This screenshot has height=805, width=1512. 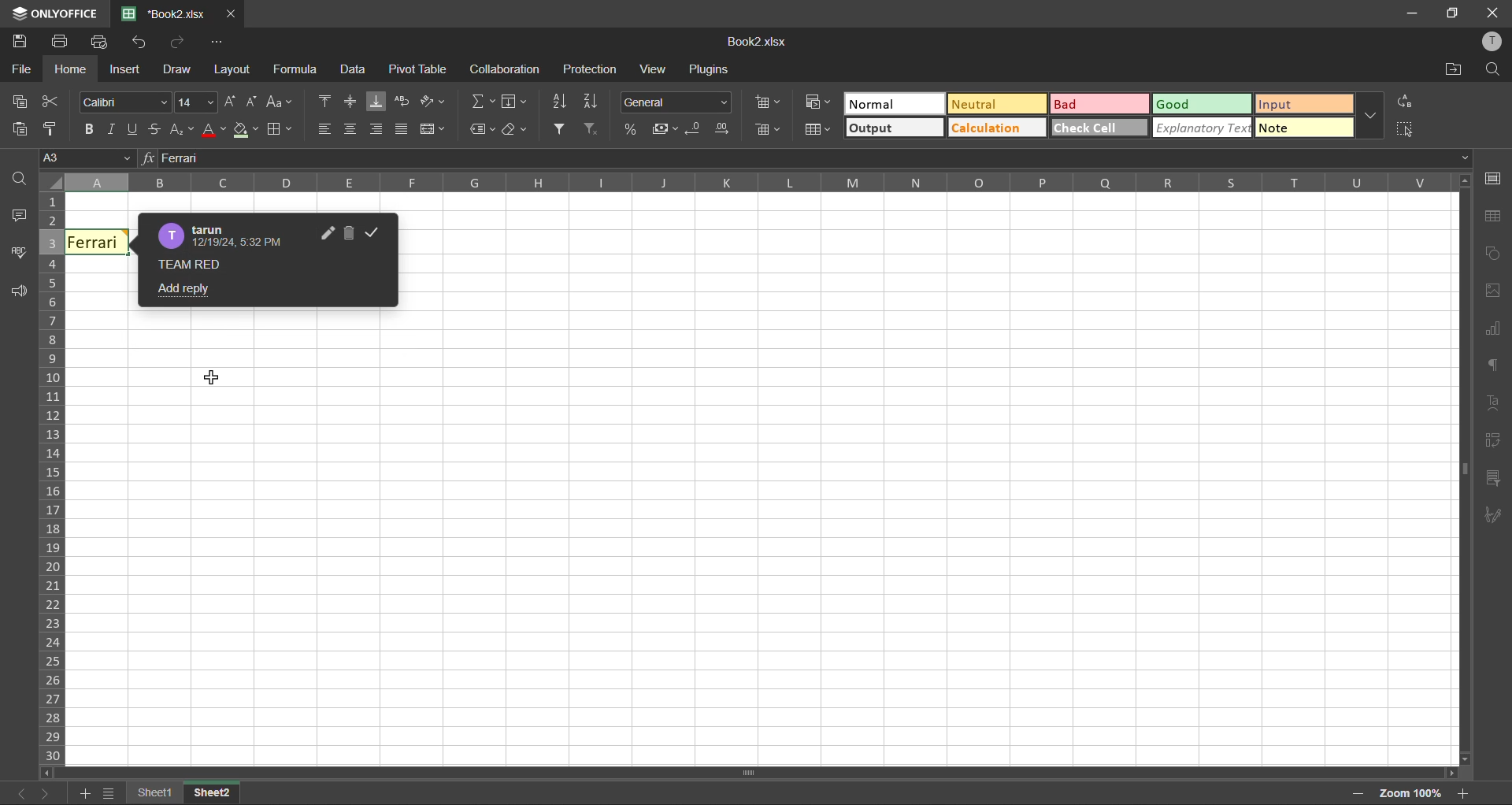 I want to click on insert cells, so click(x=768, y=101).